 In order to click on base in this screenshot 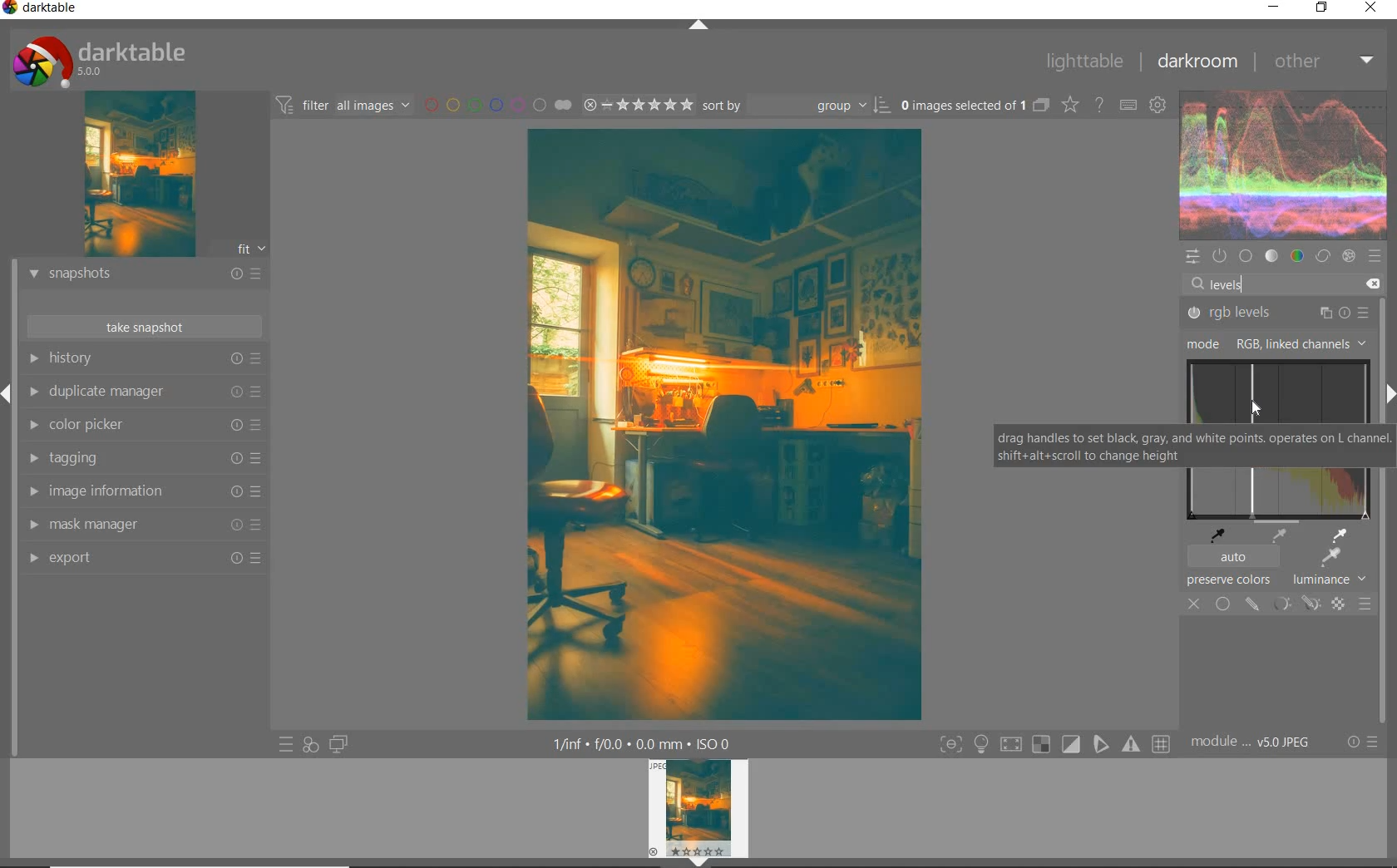, I will do `click(1246, 256)`.